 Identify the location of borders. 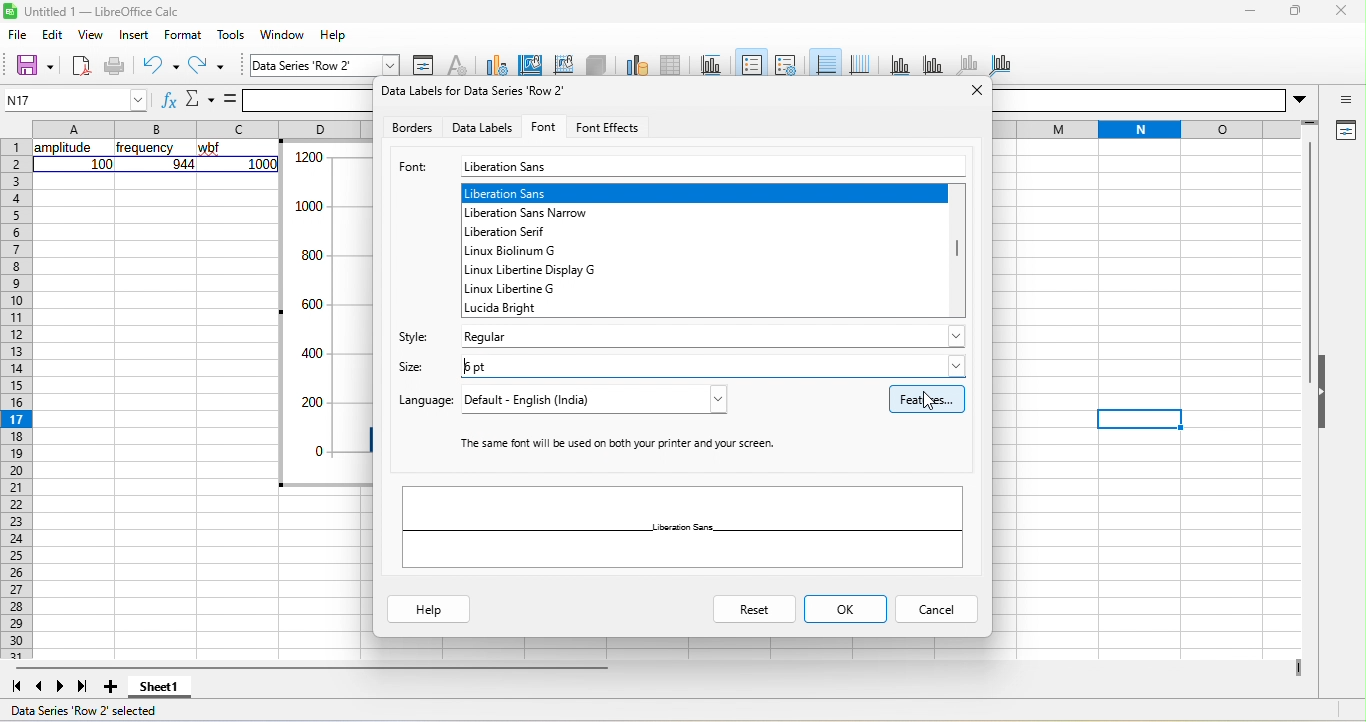
(410, 127).